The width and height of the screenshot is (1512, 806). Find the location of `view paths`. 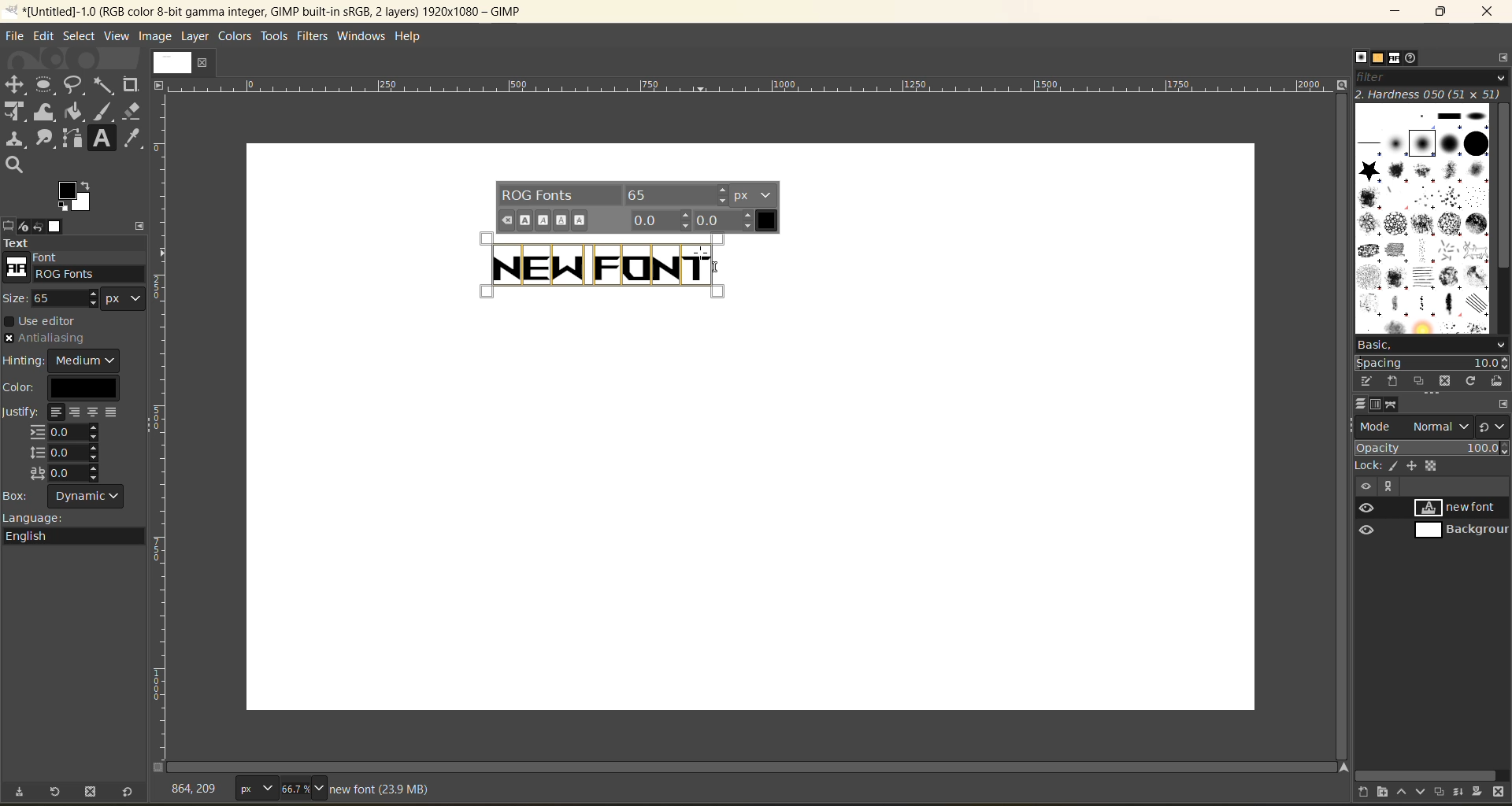

view paths is located at coordinates (1388, 486).